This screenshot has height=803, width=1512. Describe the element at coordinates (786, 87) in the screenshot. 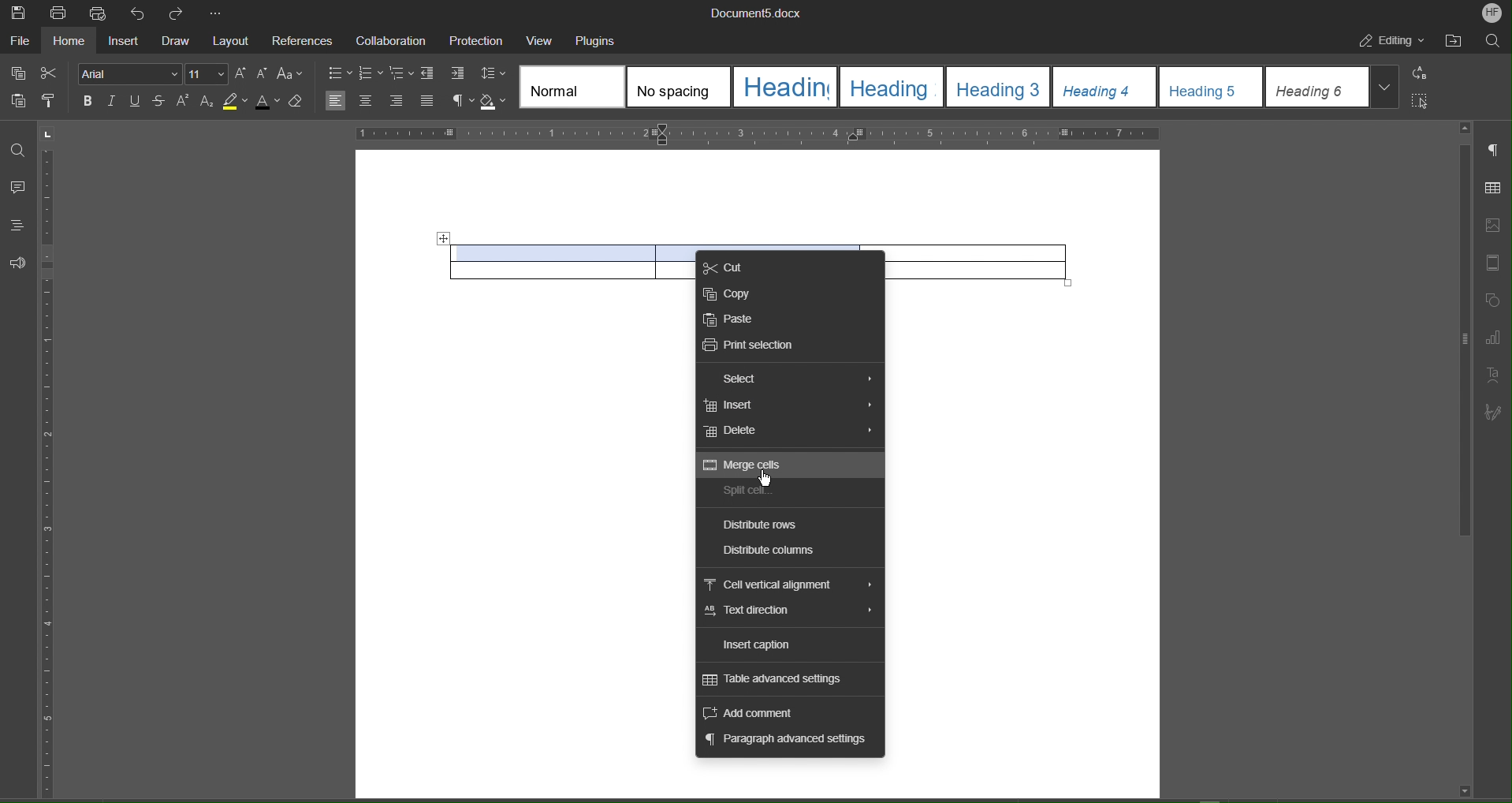

I see `heading 1` at that location.